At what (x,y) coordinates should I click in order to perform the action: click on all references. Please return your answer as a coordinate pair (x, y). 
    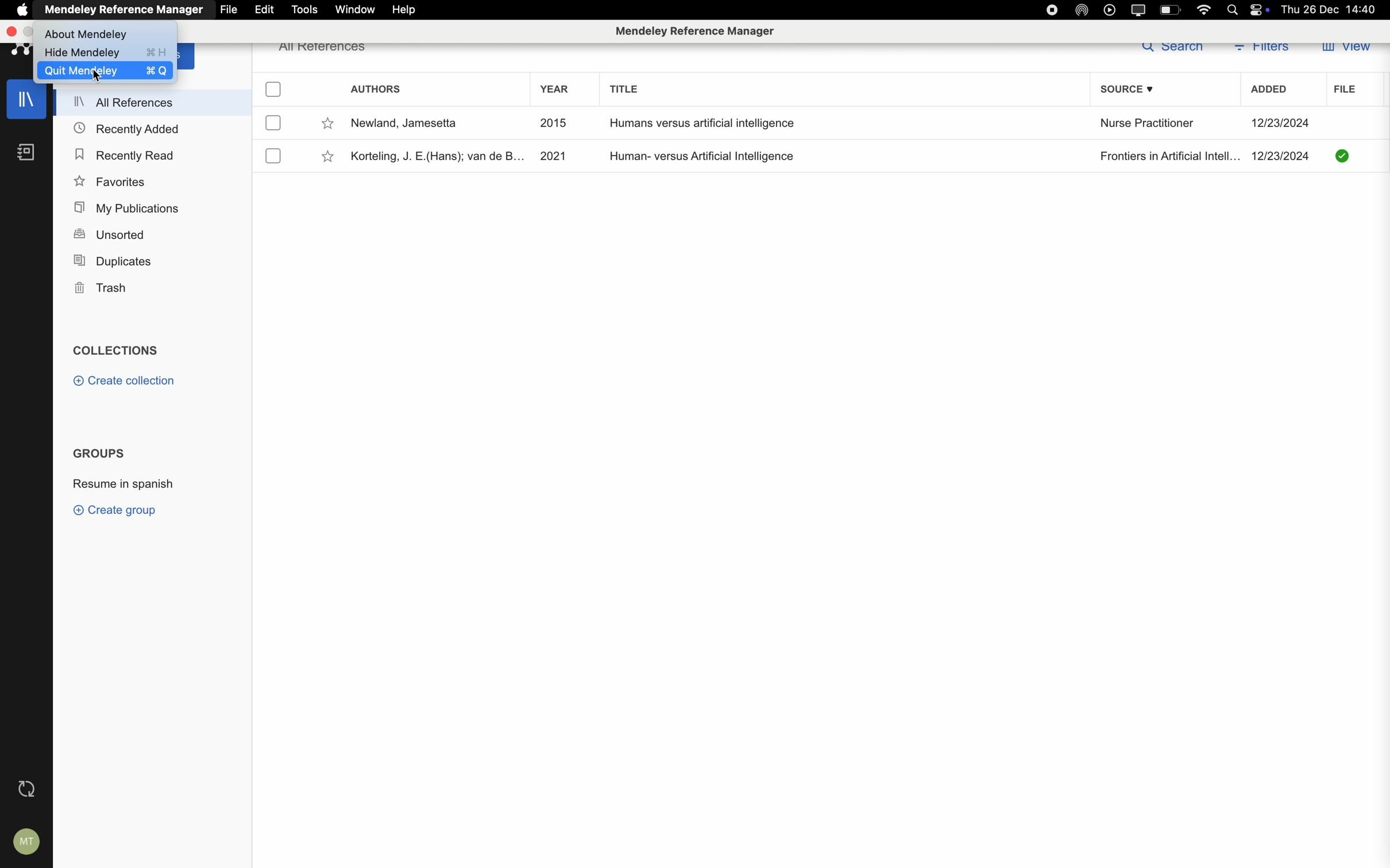
    Looking at the image, I should click on (325, 51).